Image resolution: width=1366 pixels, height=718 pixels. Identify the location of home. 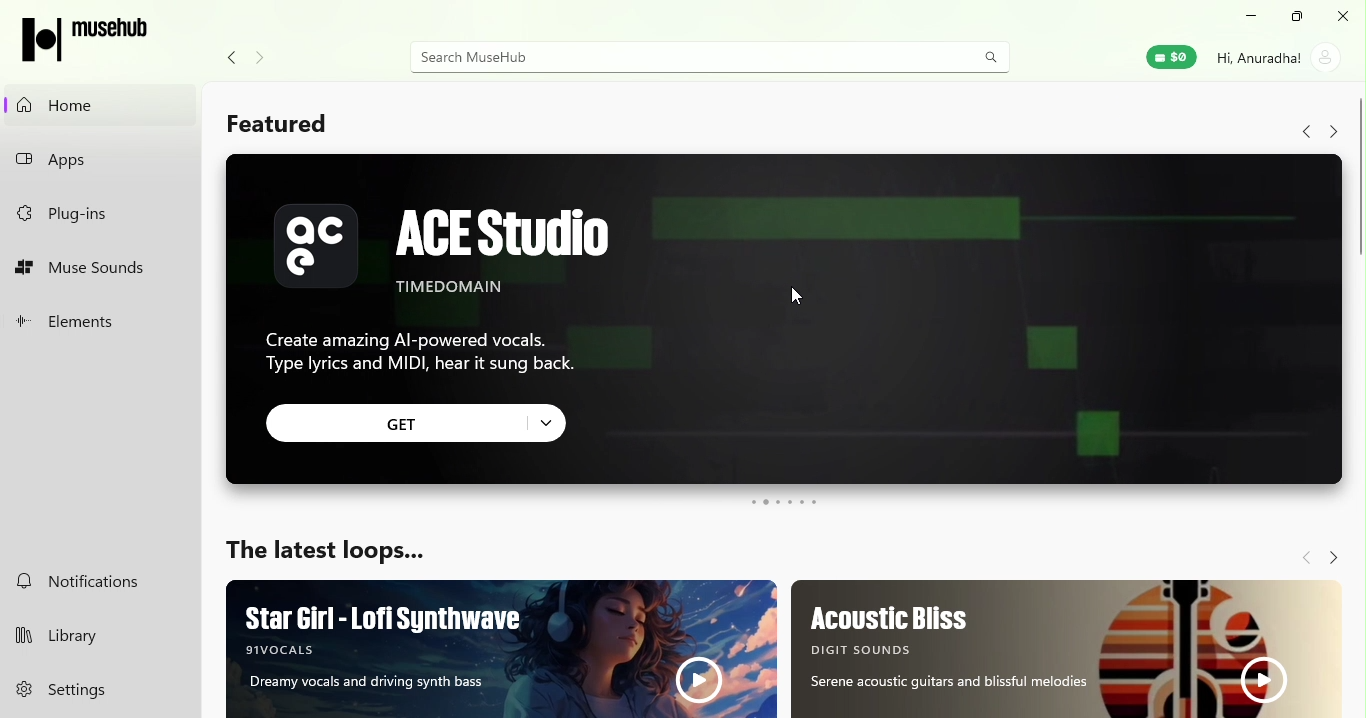
(94, 105).